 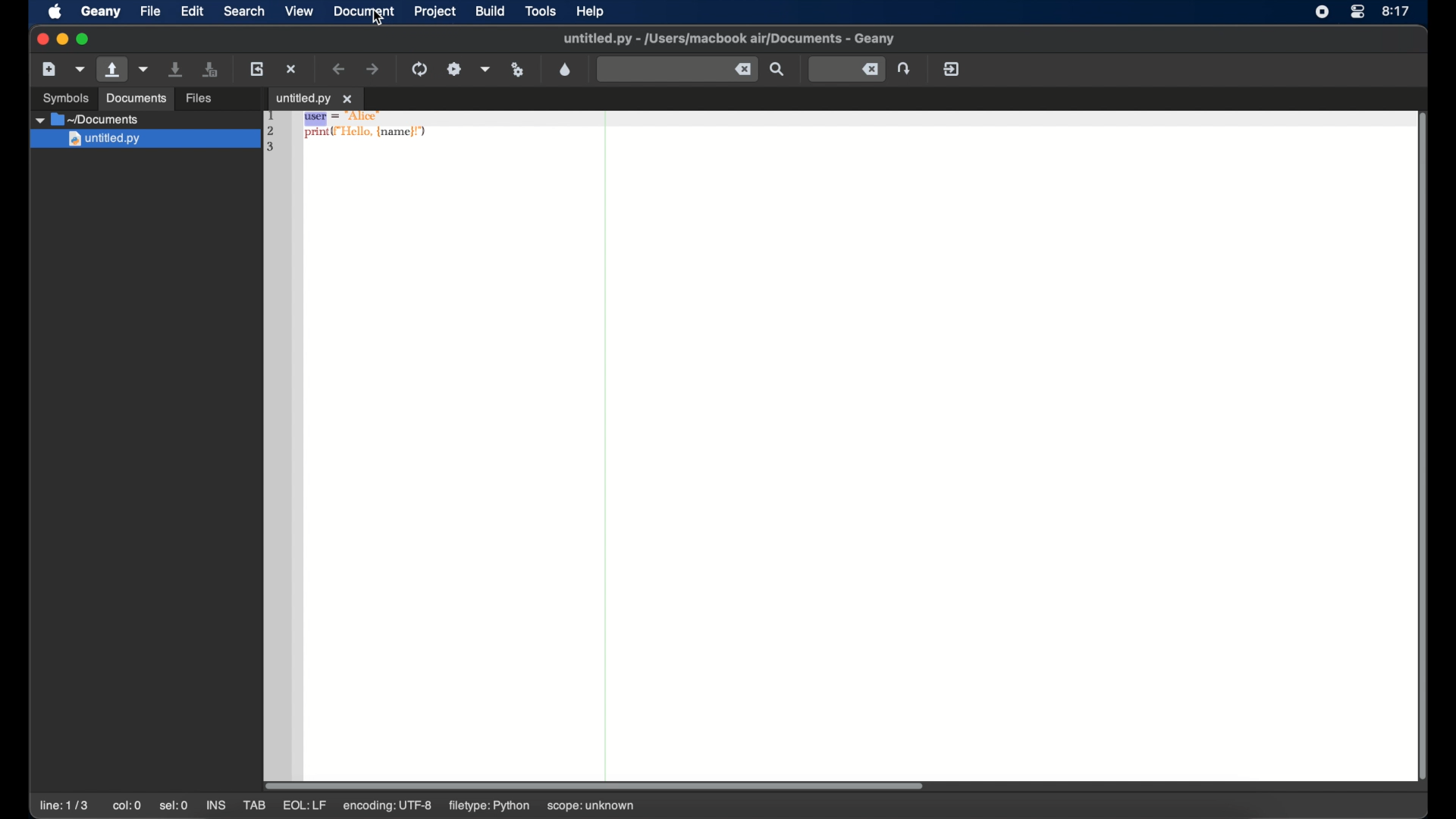 I want to click on untitled.py, so click(x=148, y=119).